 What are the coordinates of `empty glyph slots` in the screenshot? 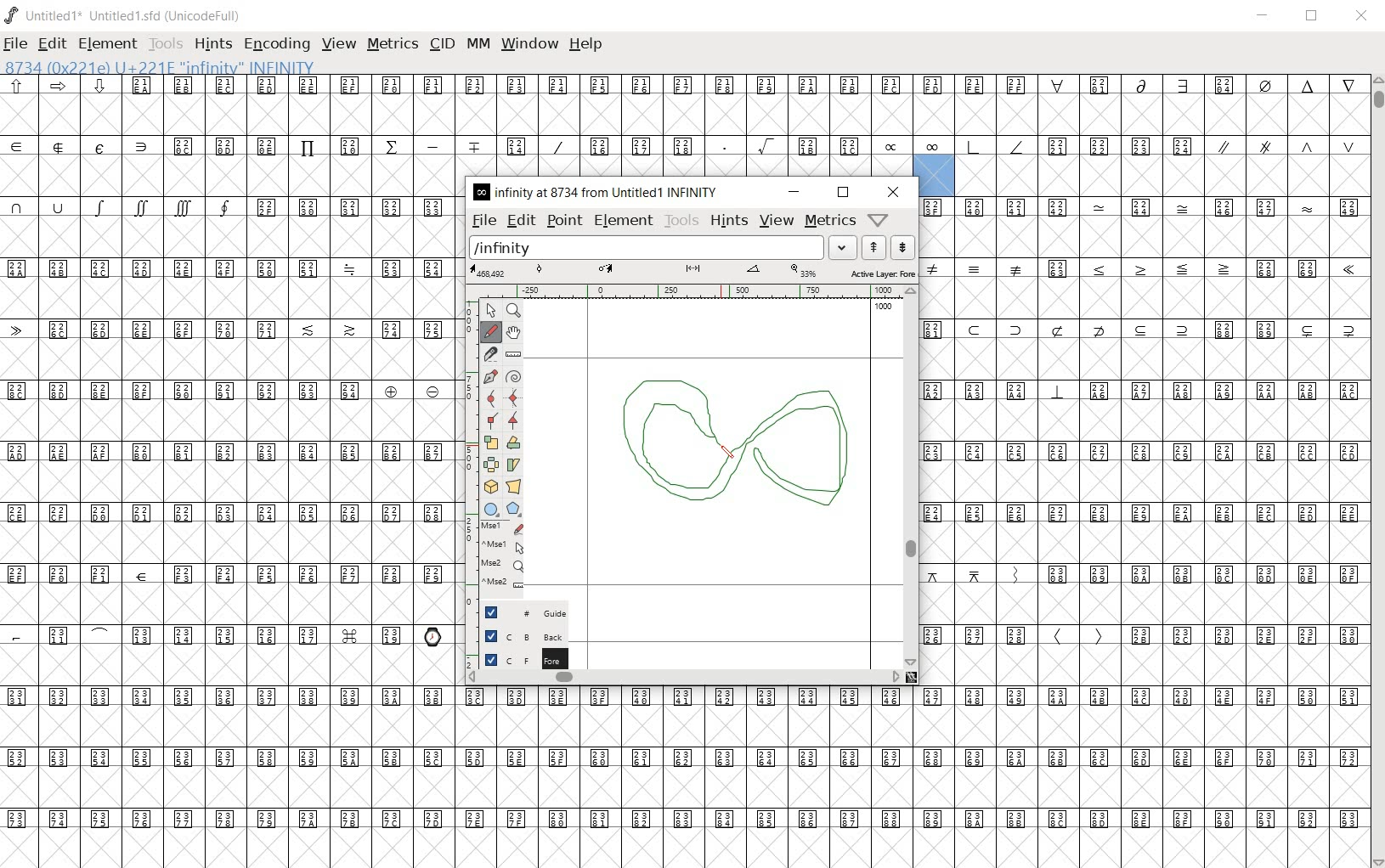 It's located at (230, 543).